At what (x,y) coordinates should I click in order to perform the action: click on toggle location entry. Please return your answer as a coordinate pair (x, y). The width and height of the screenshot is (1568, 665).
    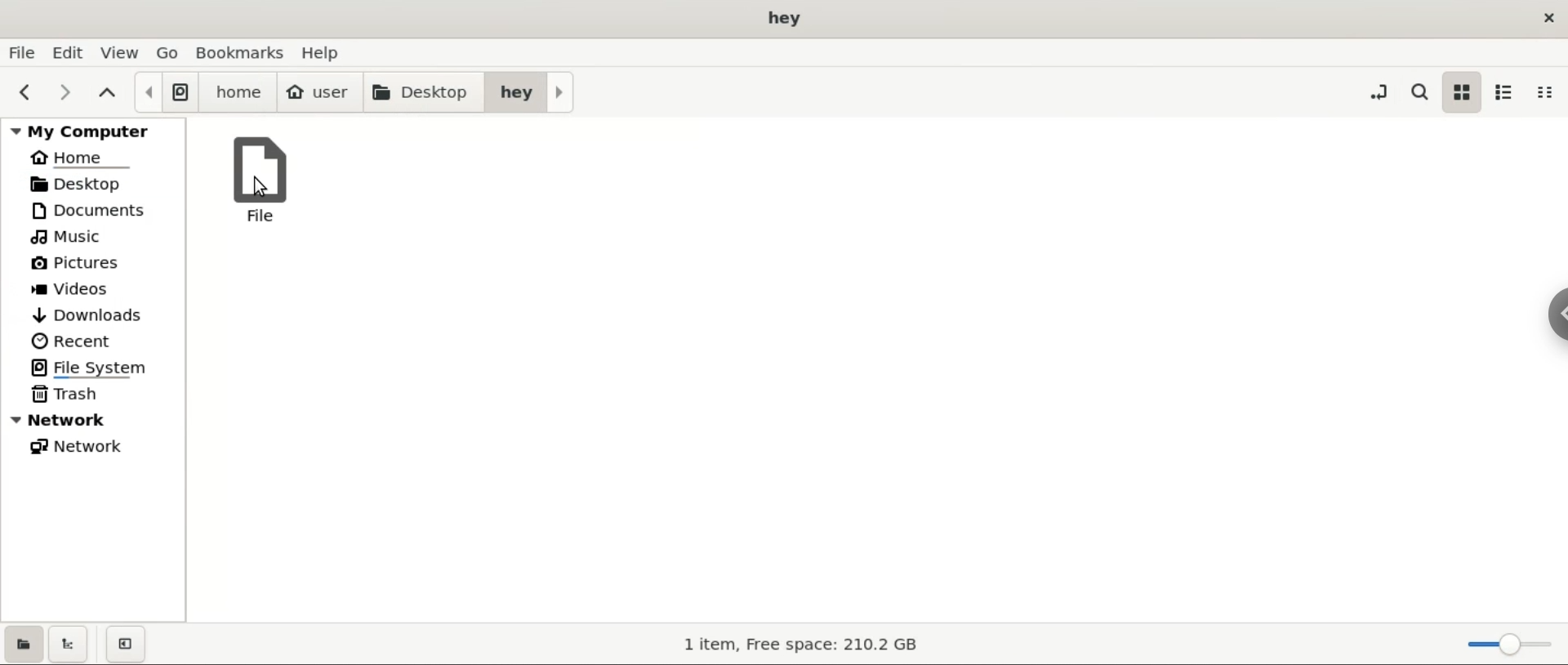
    Looking at the image, I should click on (1373, 89).